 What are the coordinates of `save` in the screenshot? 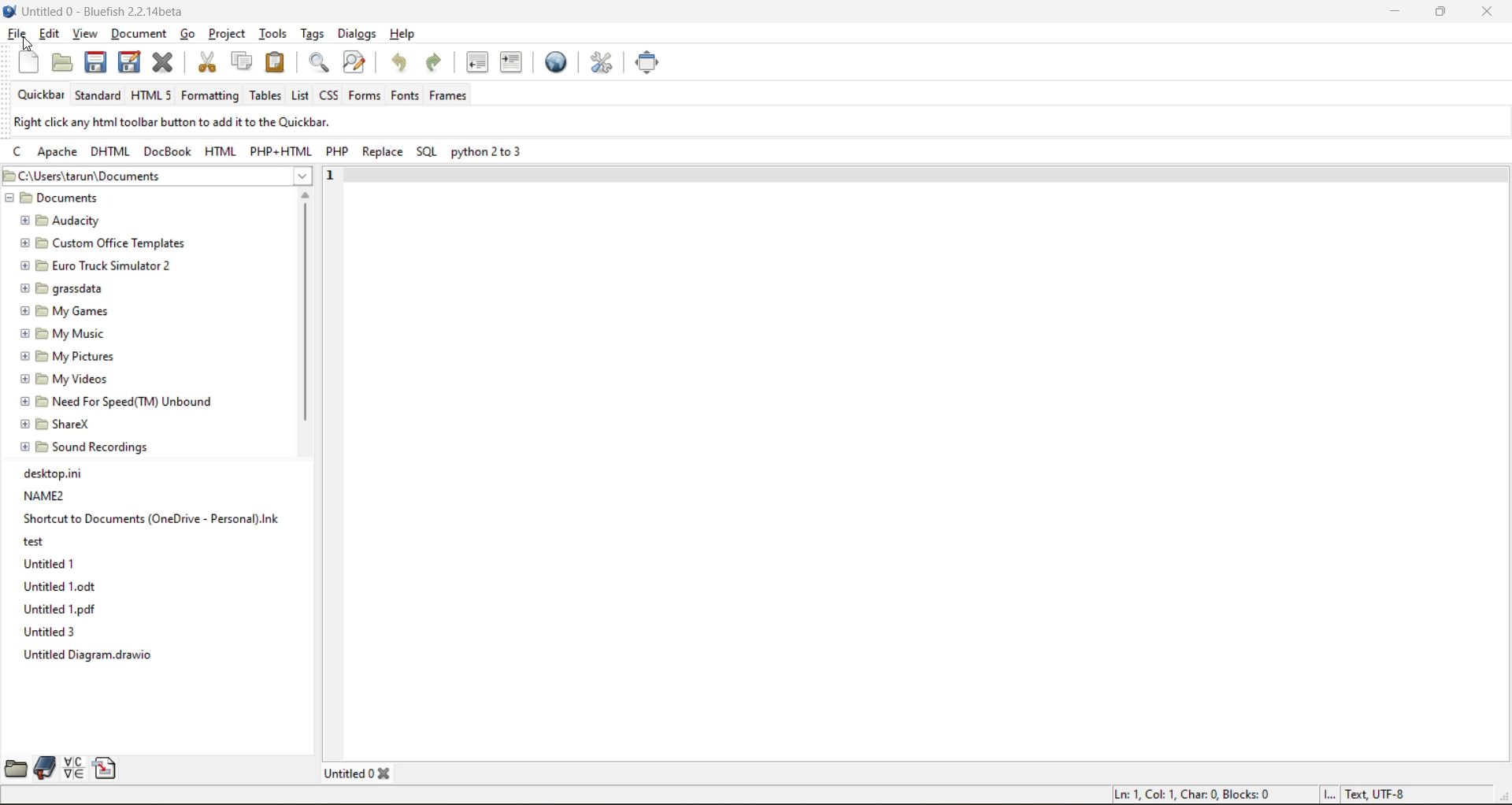 It's located at (95, 62).